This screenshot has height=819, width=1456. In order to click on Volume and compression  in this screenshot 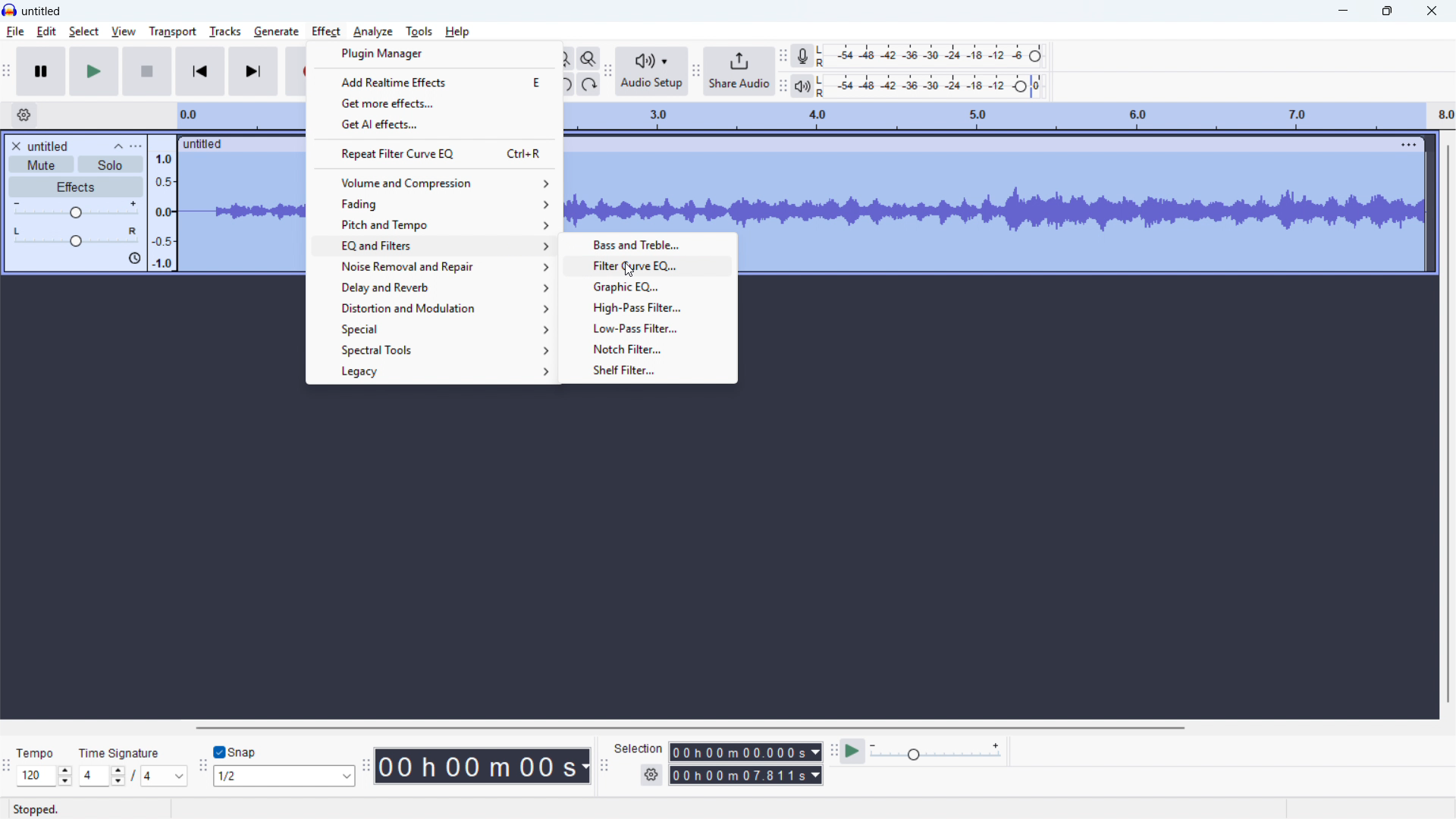, I will do `click(435, 183)`.